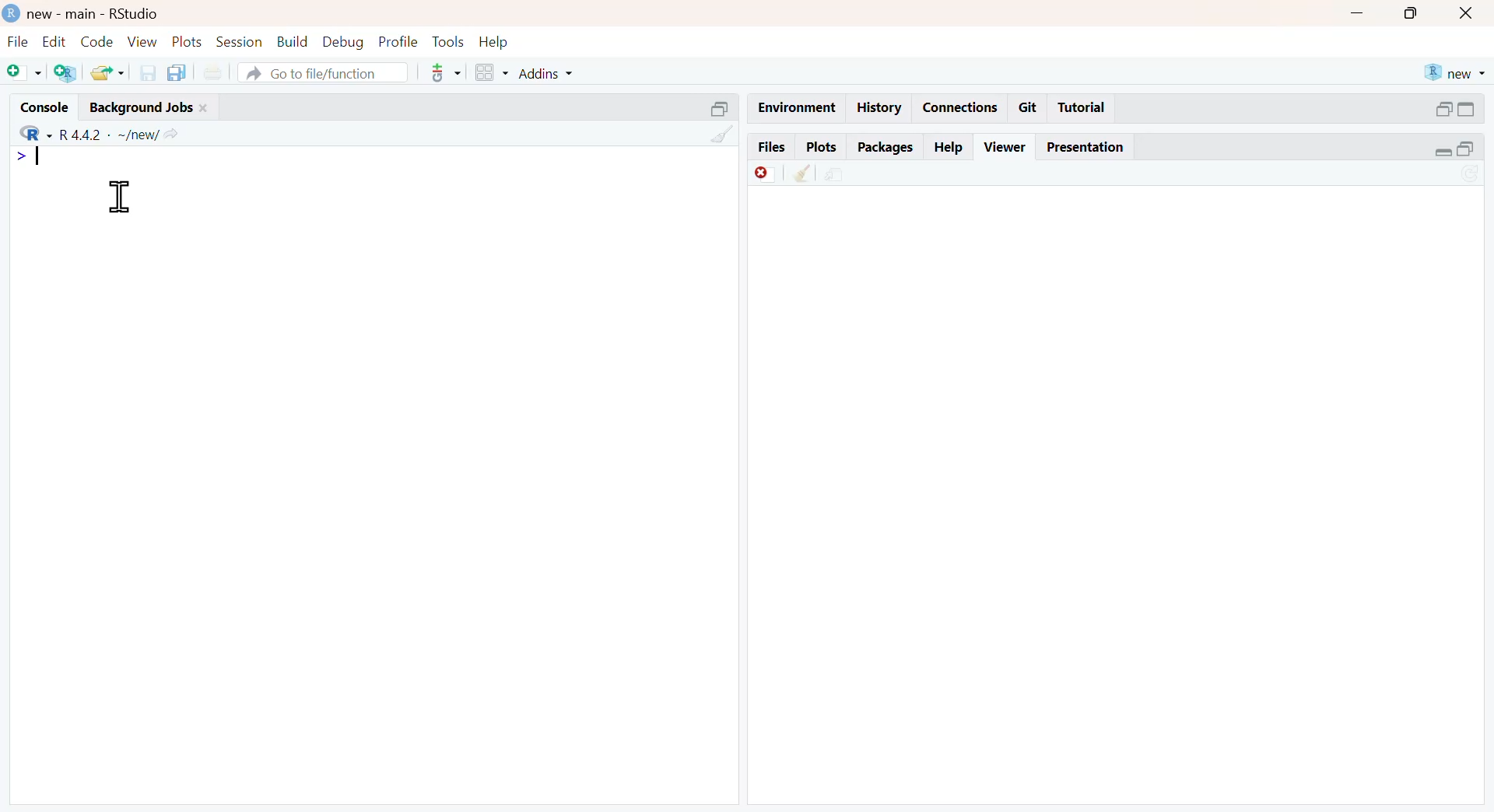 The width and height of the screenshot is (1494, 812). I want to click on Minimise , so click(1360, 12).